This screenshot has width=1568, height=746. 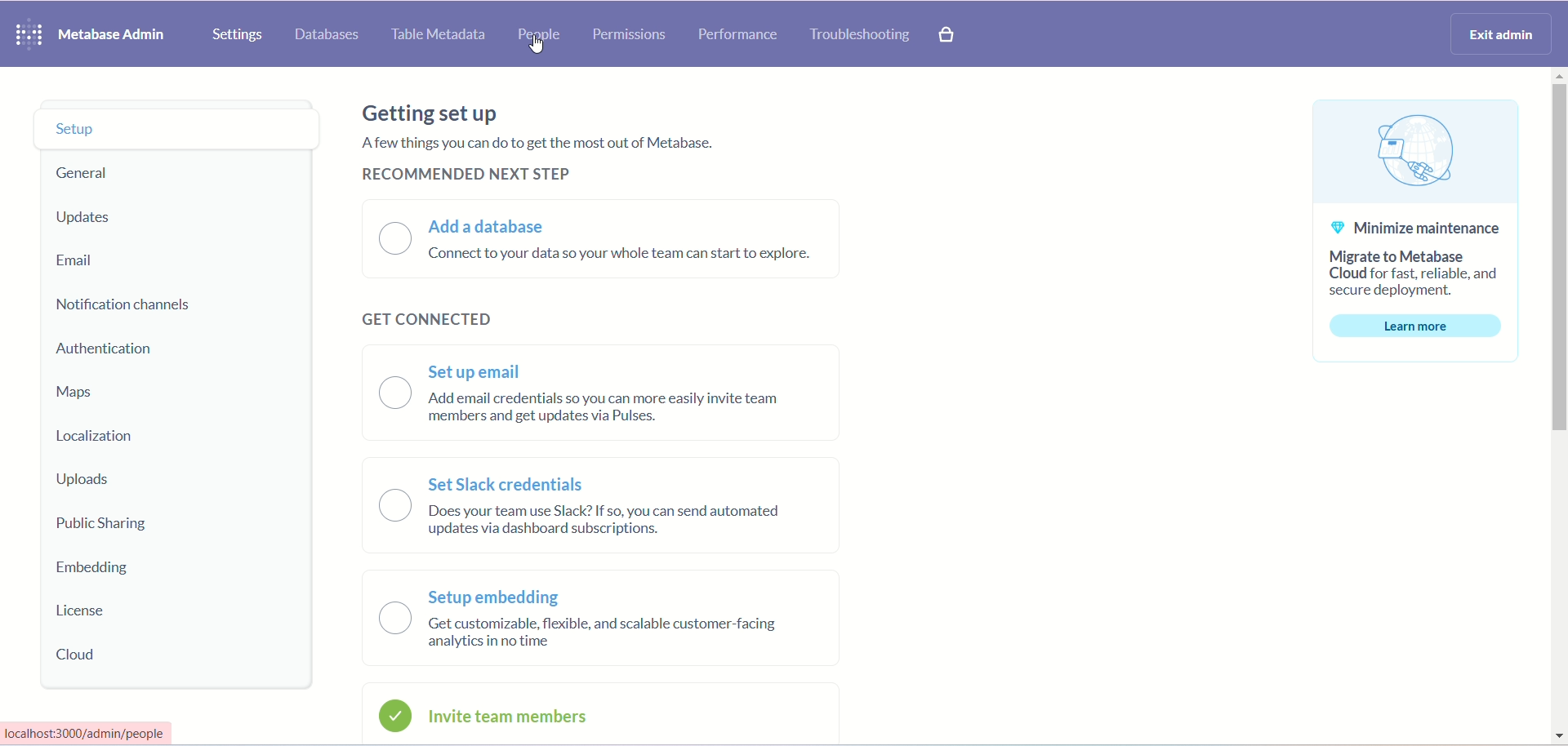 I want to click on database, so click(x=330, y=34).